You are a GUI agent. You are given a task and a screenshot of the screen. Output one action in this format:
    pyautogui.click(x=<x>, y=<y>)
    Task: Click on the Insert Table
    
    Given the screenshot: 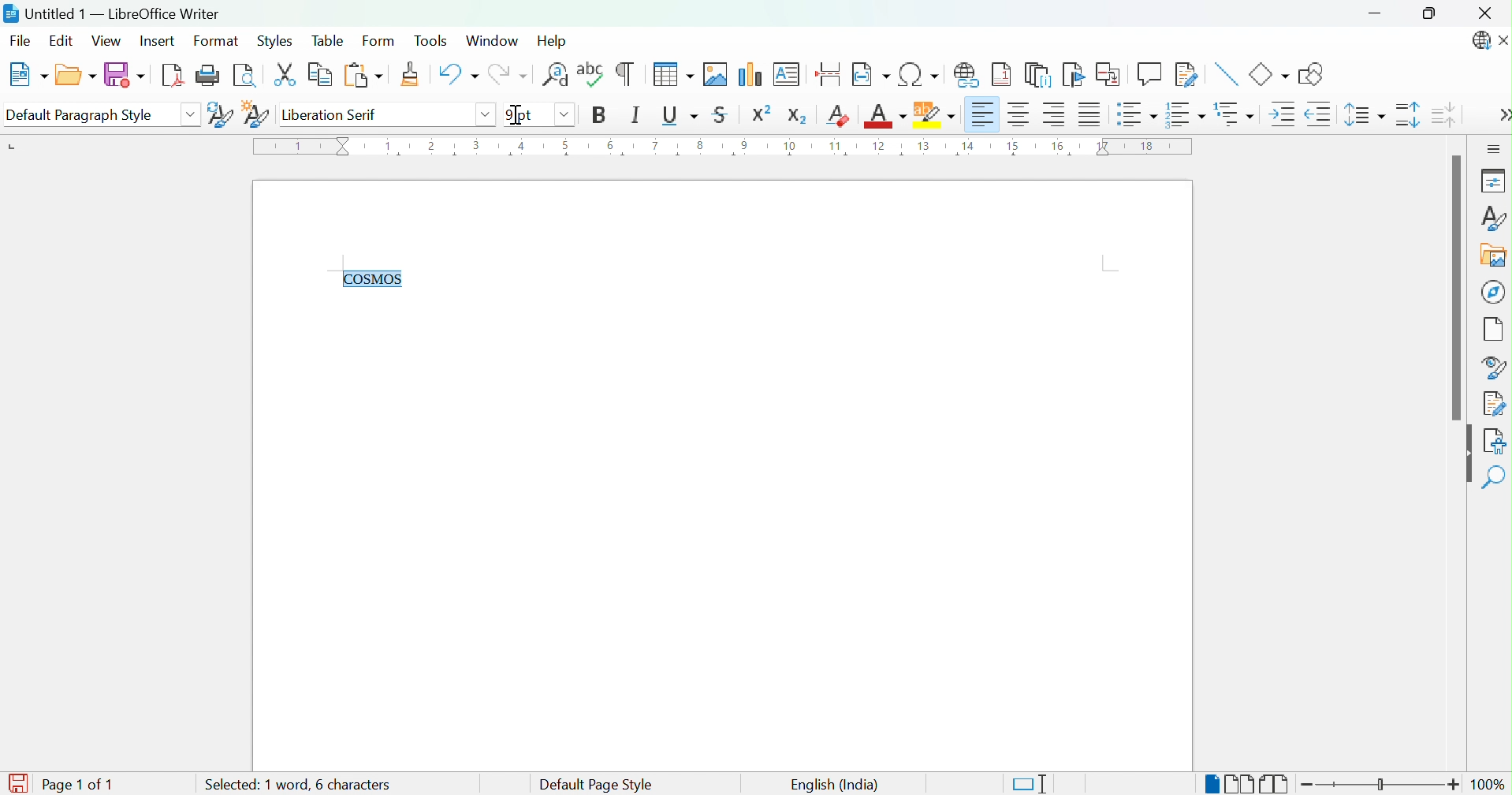 What is the action you would take?
    pyautogui.click(x=669, y=74)
    